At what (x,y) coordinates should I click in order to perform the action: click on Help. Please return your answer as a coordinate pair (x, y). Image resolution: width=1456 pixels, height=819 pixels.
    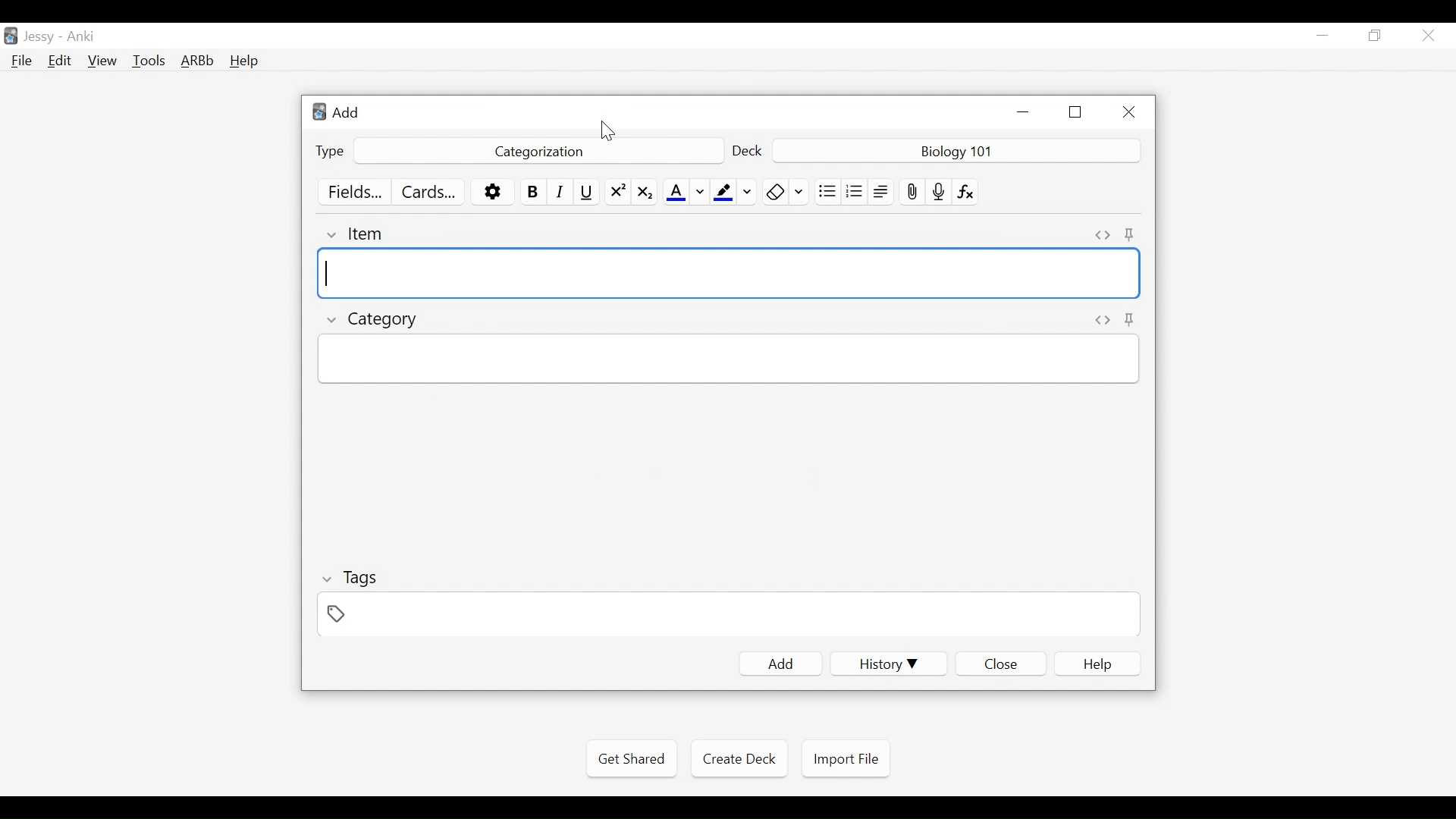
    Looking at the image, I should click on (243, 62).